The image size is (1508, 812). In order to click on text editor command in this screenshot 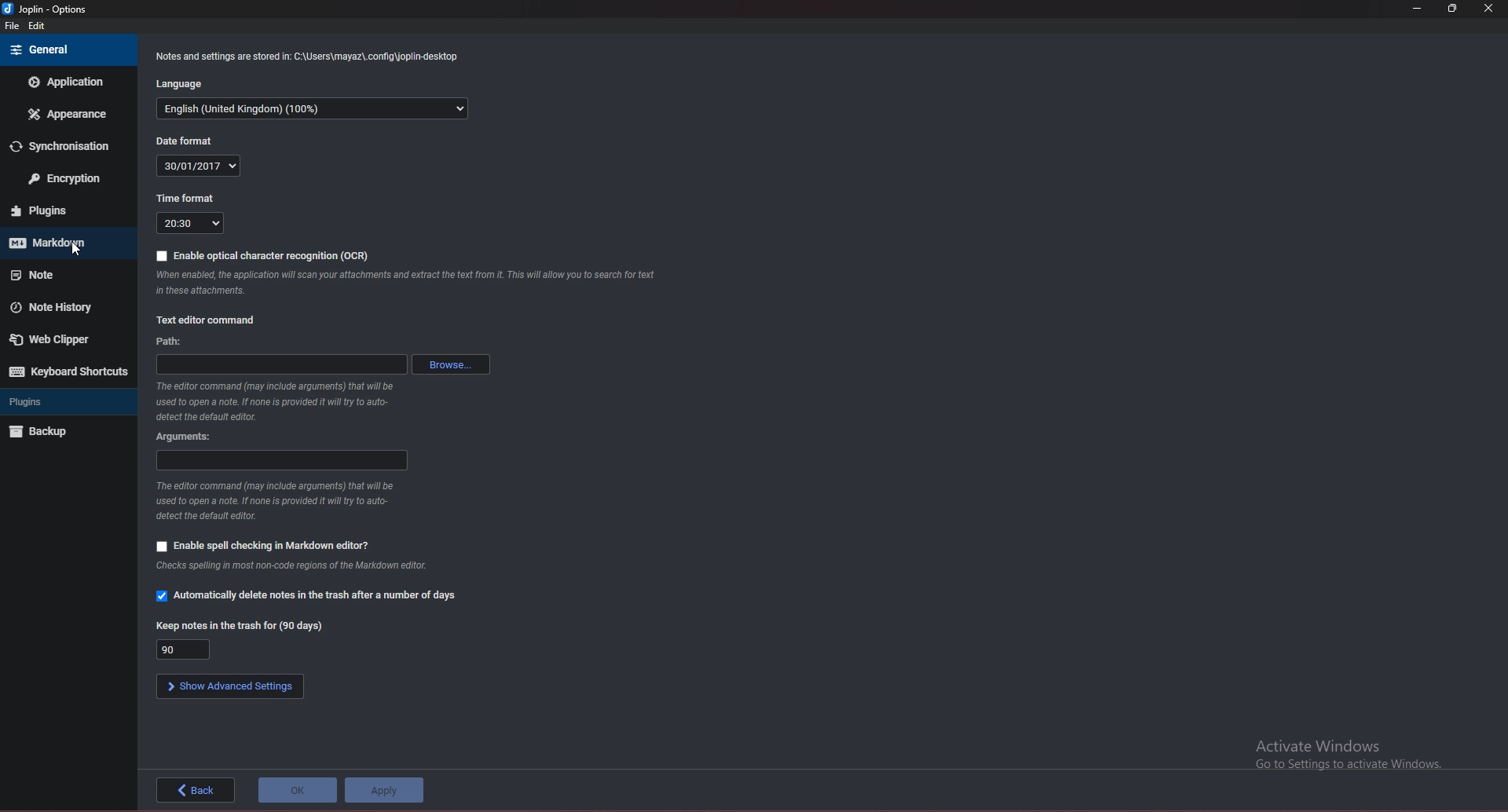, I will do `click(206, 320)`.